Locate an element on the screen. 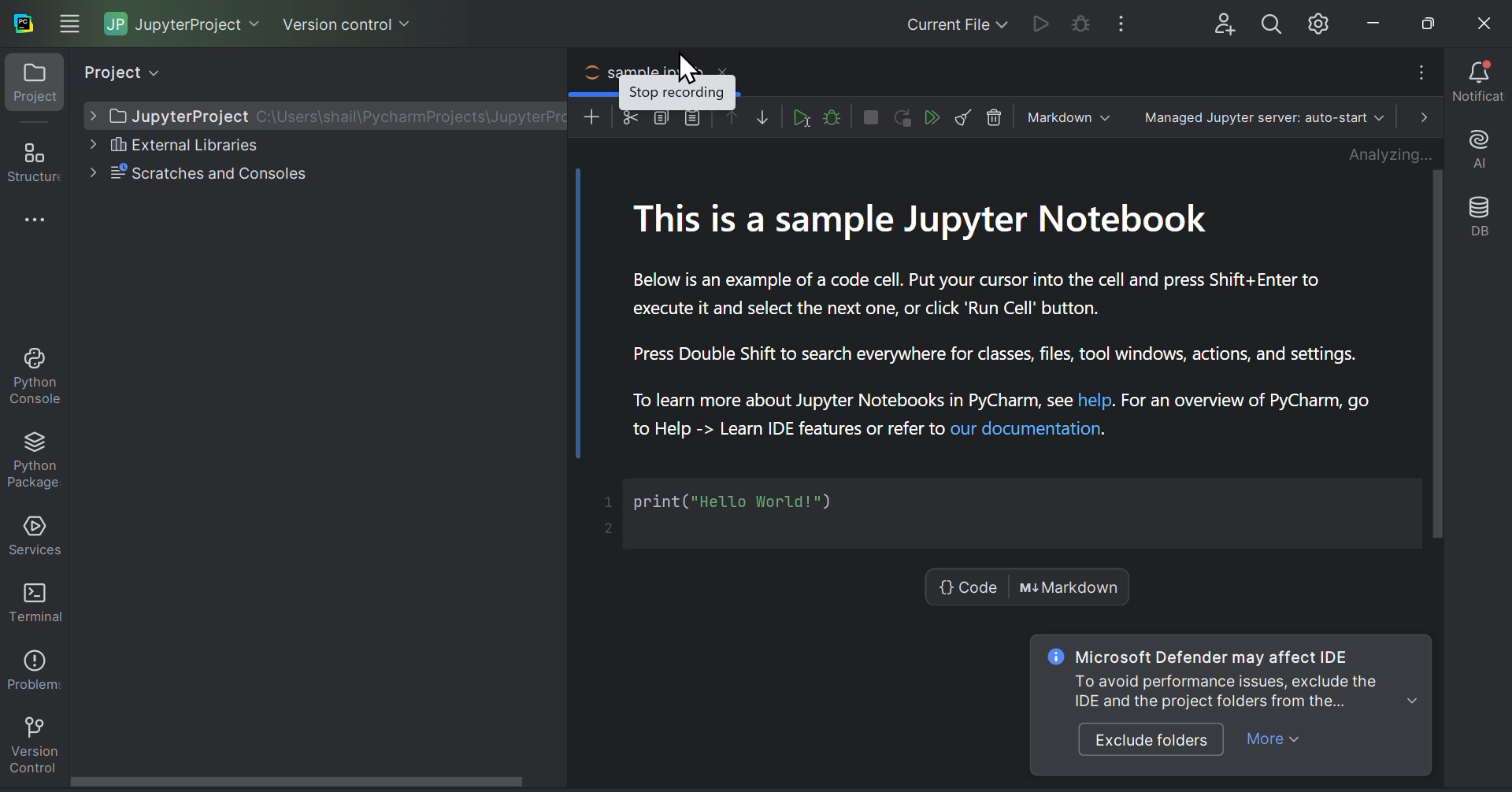 Image resolution: width=1512 pixels, height=792 pixels. Add file is located at coordinates (1217, 21).